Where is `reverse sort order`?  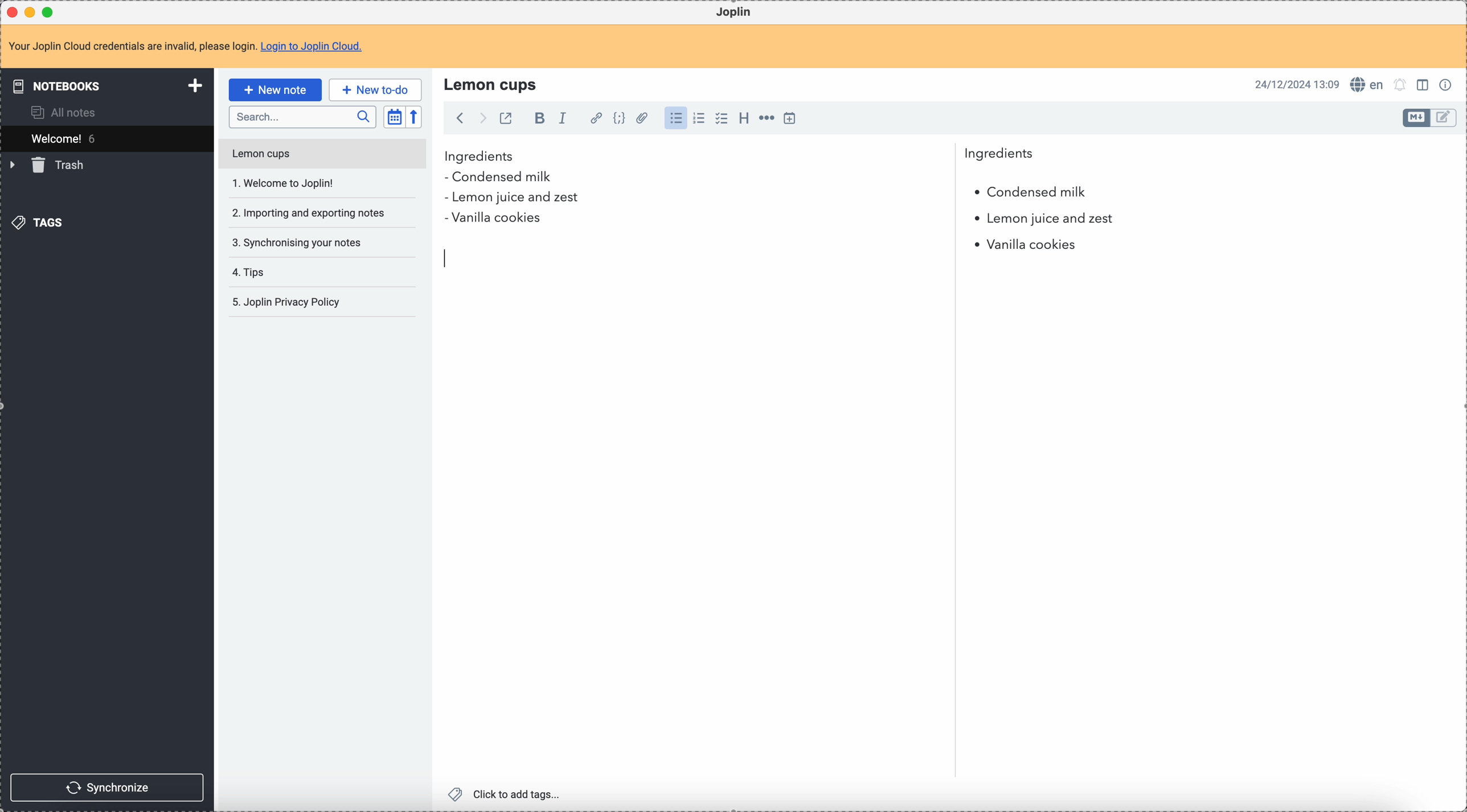 reverse sort order is located at coordinates (416, 117).